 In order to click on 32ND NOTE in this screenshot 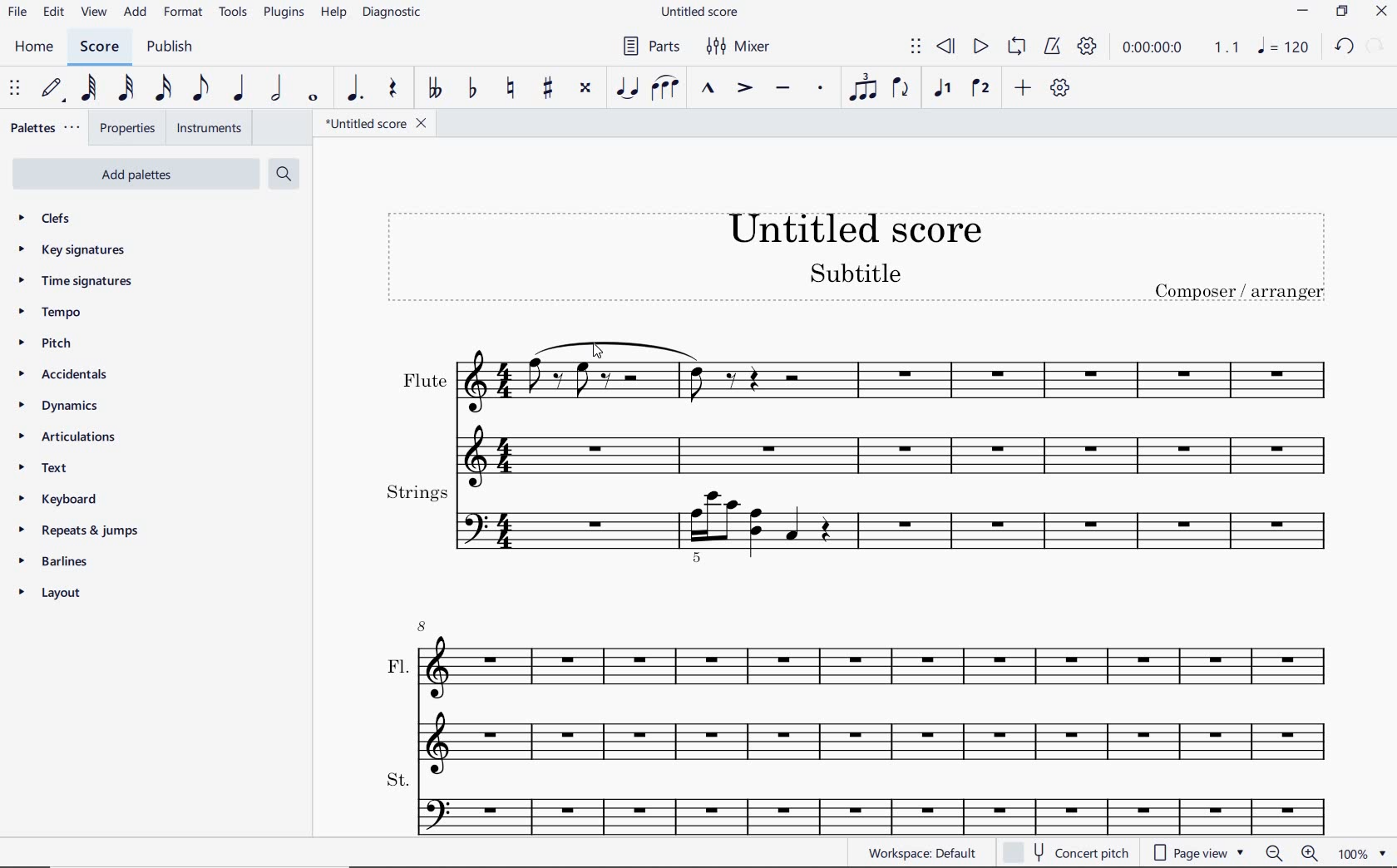, I will do `click(123, 89)`.